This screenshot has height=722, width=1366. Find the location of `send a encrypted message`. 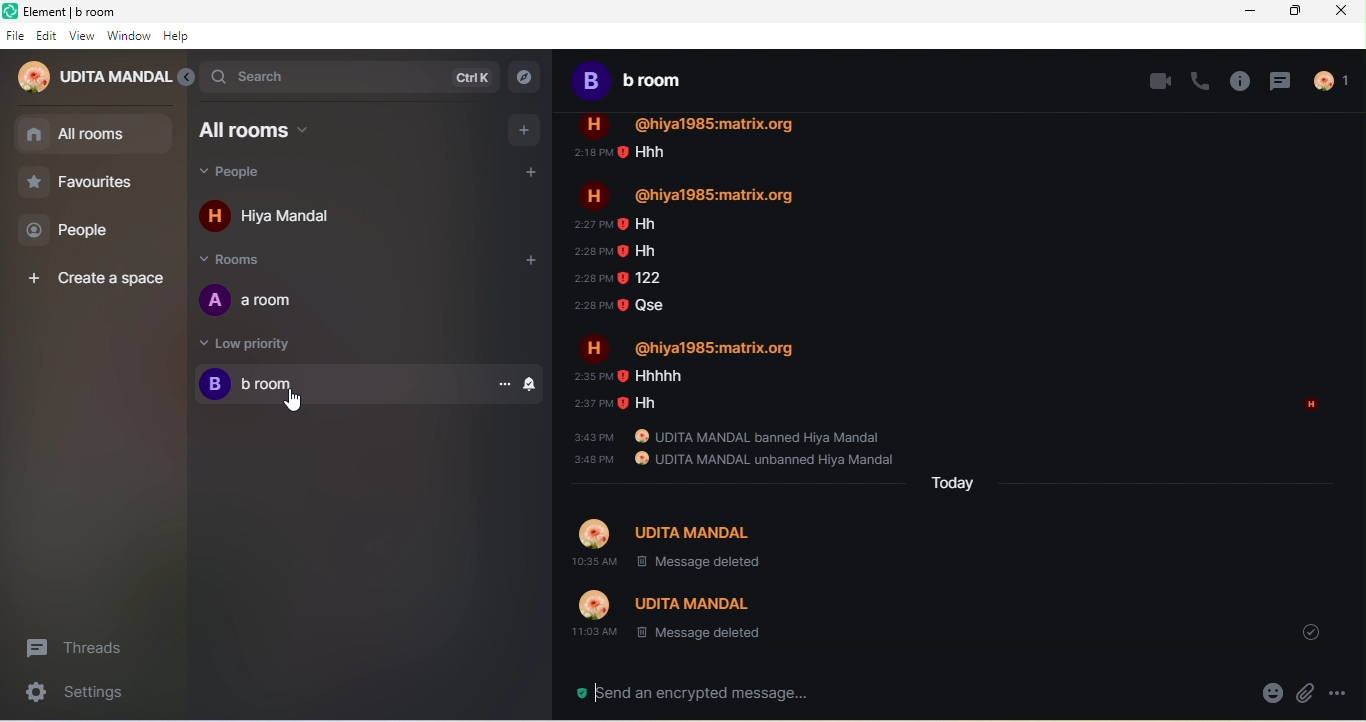

send a encrypted message is located at coordinates (701, 691).